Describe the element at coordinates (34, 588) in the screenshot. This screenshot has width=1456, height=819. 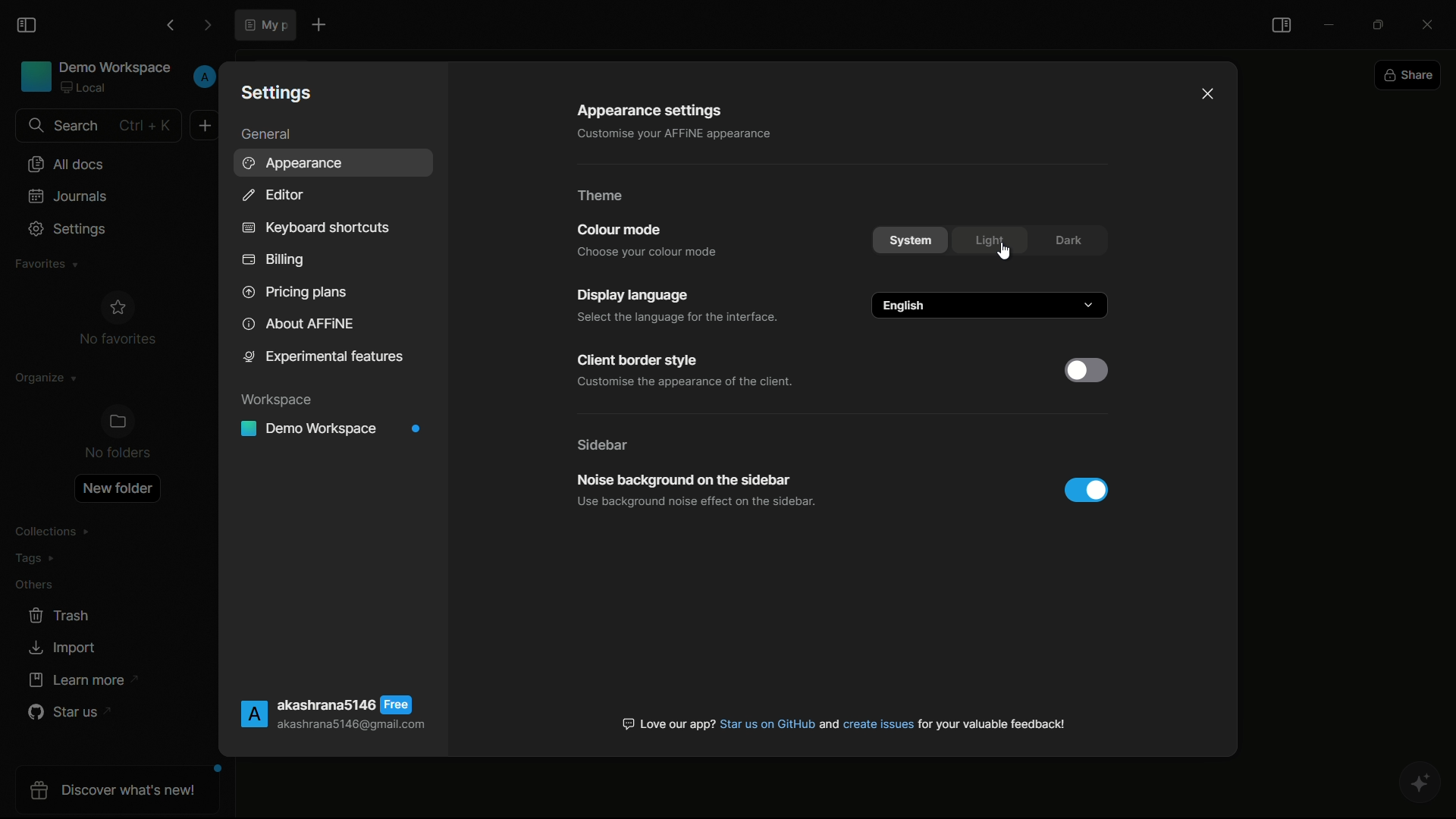
I see `others` at that location.